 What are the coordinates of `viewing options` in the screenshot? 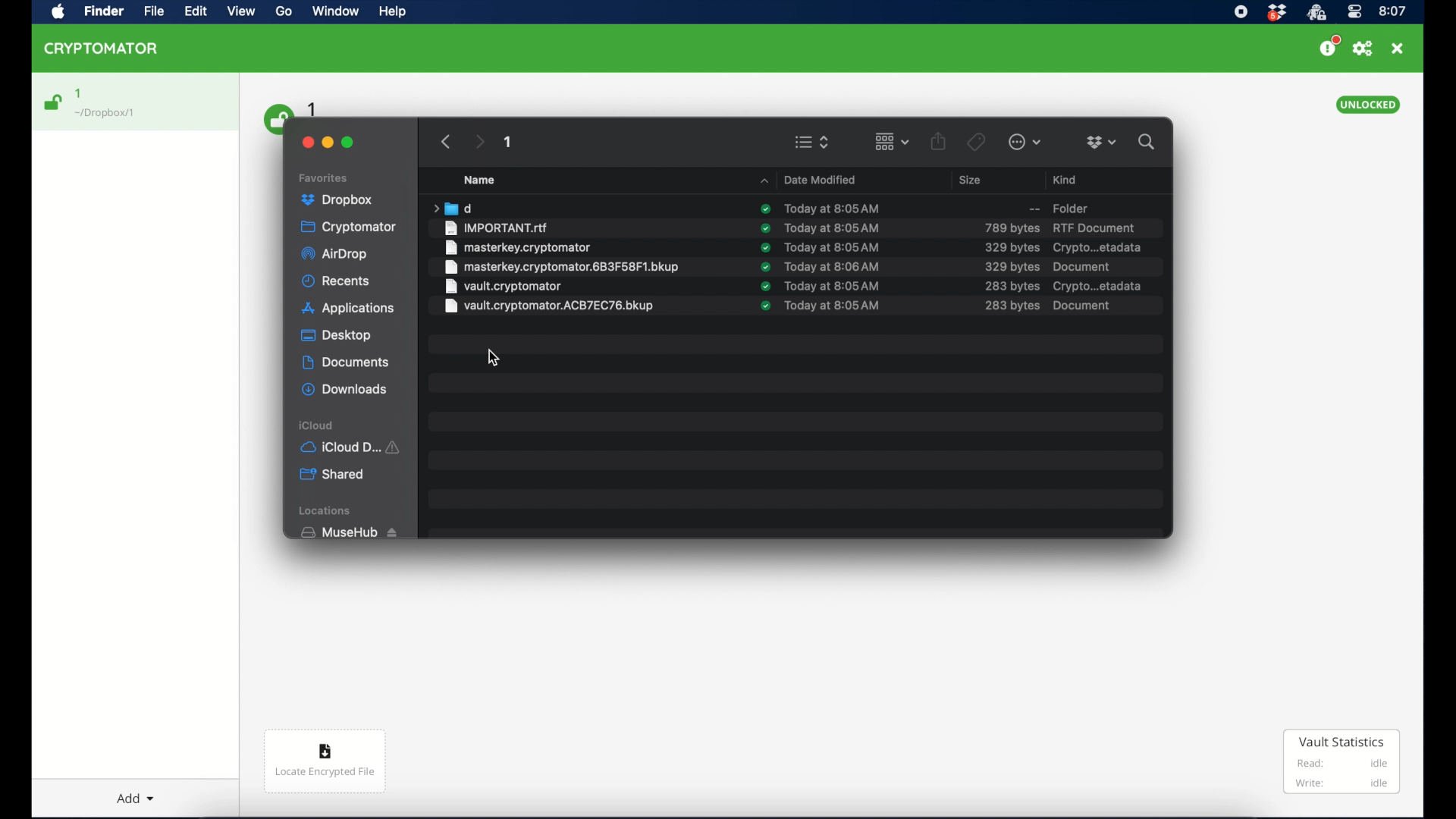 It's located at (812, 142).